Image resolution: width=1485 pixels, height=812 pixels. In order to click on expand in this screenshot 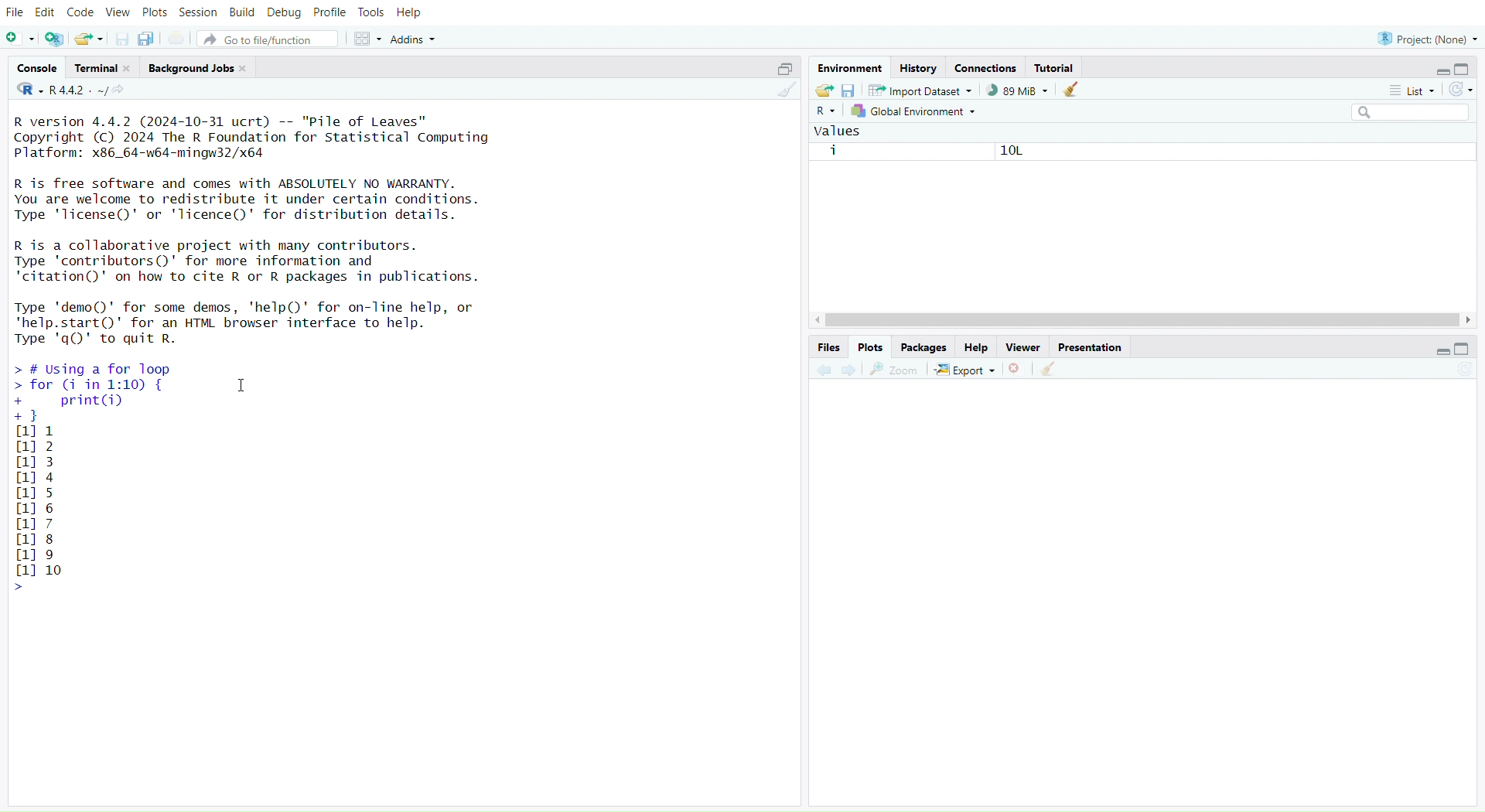, I will do `click(1440, 72)`.